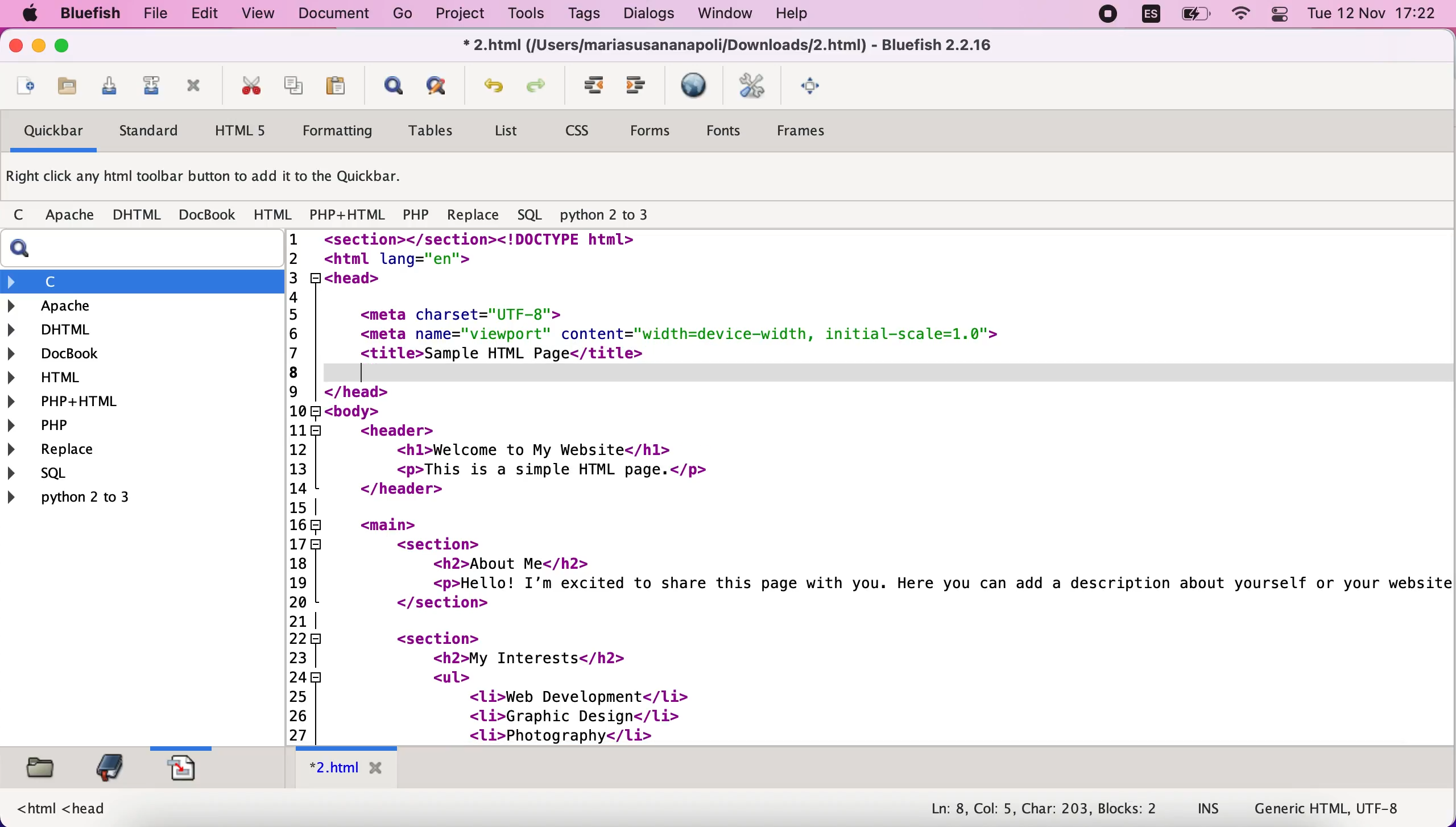 The width and height of the screenshot is (1456, 827). I want to click on 1 <section></section><!DOCTYPE html>

2 <html lang="en">
3 <head>

4

5 <meta charset="UTF-8">

6 <meta name="viewport" content="width=device-width, initial-scale=1.0">
7 pritieSample HTML Page</title>

8

9 | </head>

10 <body>

11 <header>

12 <hl>Welcome to My Website</hl>

13 <p>This is a simple HTML page.</p>
14 </header>

15 |

165 <main>

17 <section>

18 <h2>About Me</h2>

19 <p>Hello! I'm excited to share this page with you. Here you can add a description about yourself or your website
20 </section>

21 |

22 <section>

Hy] <h2>My Interests</h2>

24 <ul>

25 <li>Web Development</li>
26 <li>Graphic Design</li>

27 <li>Photography</1i>, so click(864, 489).